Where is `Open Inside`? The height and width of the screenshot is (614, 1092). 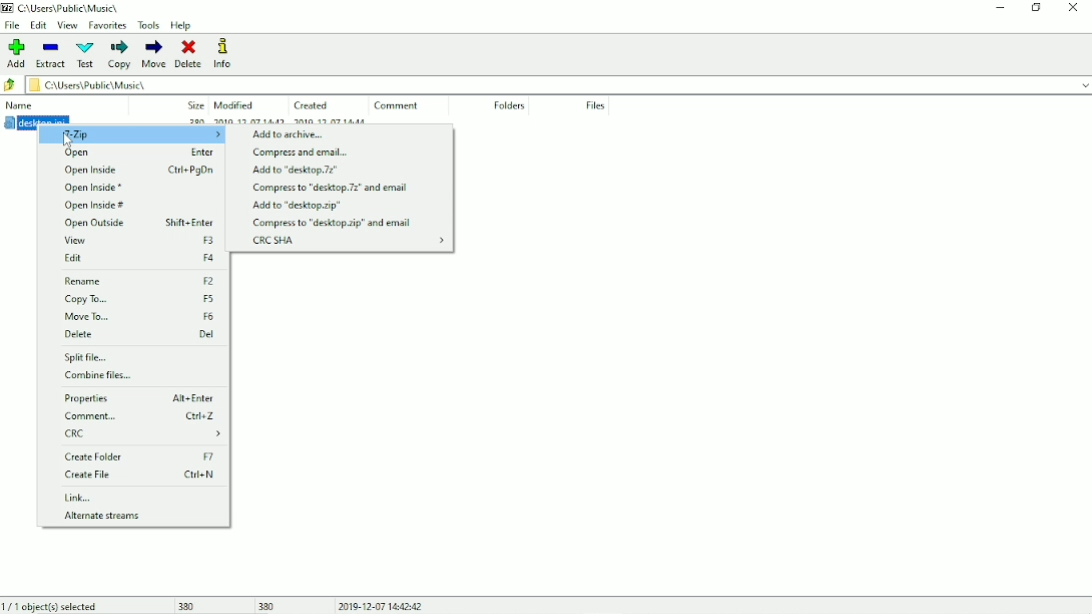 Open Inside is located at coordinates (137, 170).